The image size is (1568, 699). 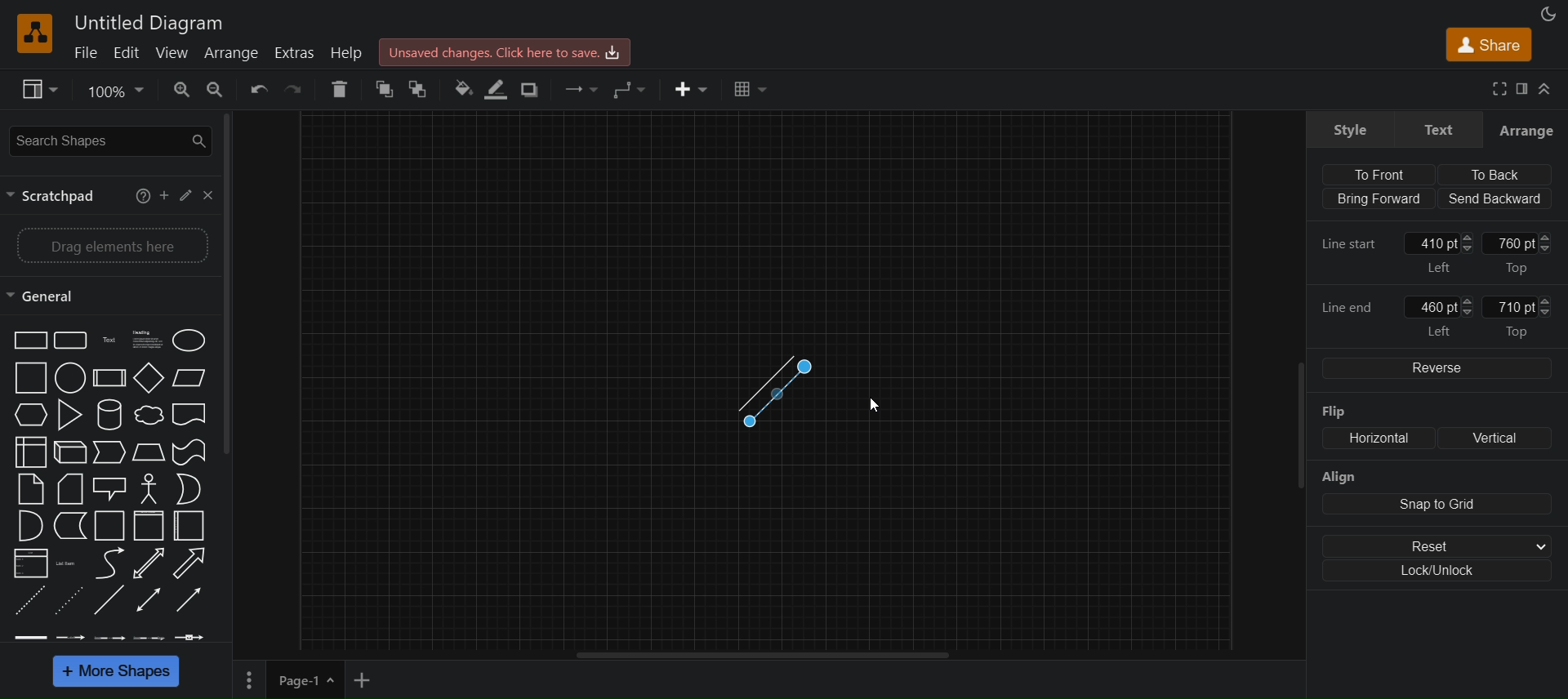 What do you see at coordinates (692, 89) in the screenshot?
I see `insert` at bounding box center [692, 89].